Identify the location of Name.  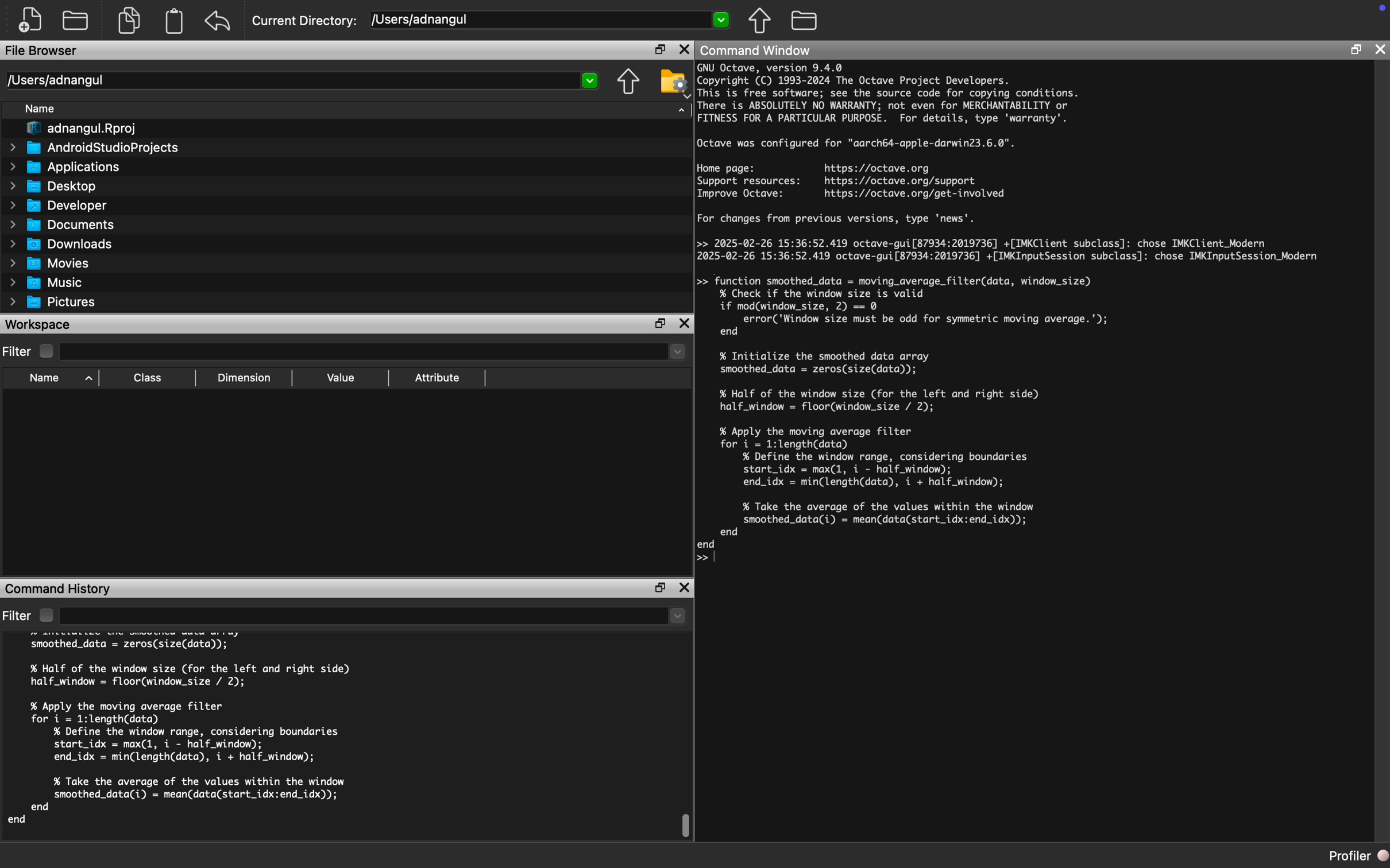
(41, 108).